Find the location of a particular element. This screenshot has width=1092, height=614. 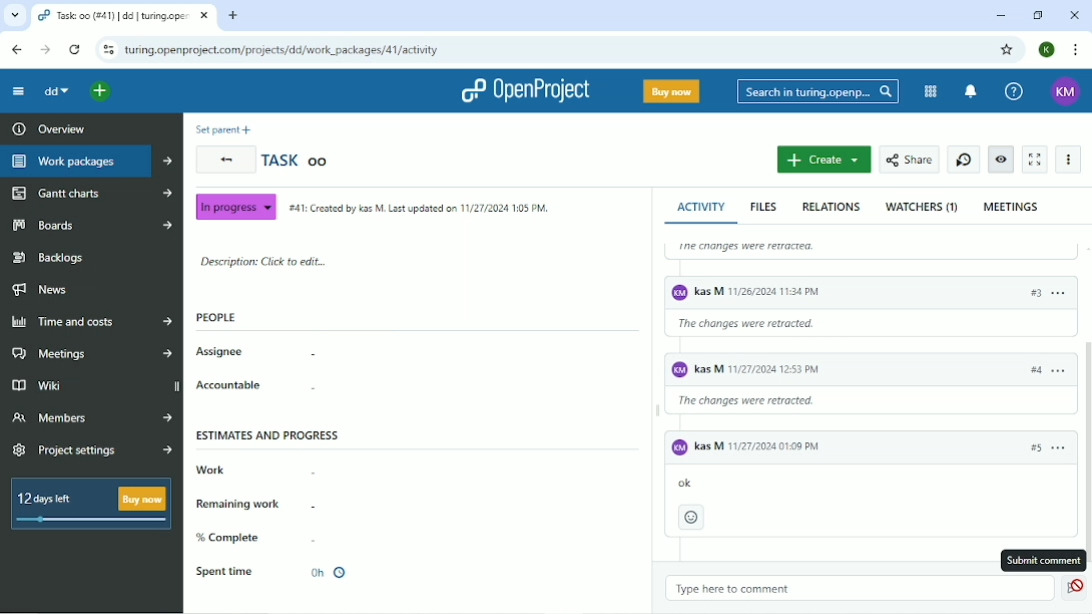

ok is located at coordinates (706, 479).